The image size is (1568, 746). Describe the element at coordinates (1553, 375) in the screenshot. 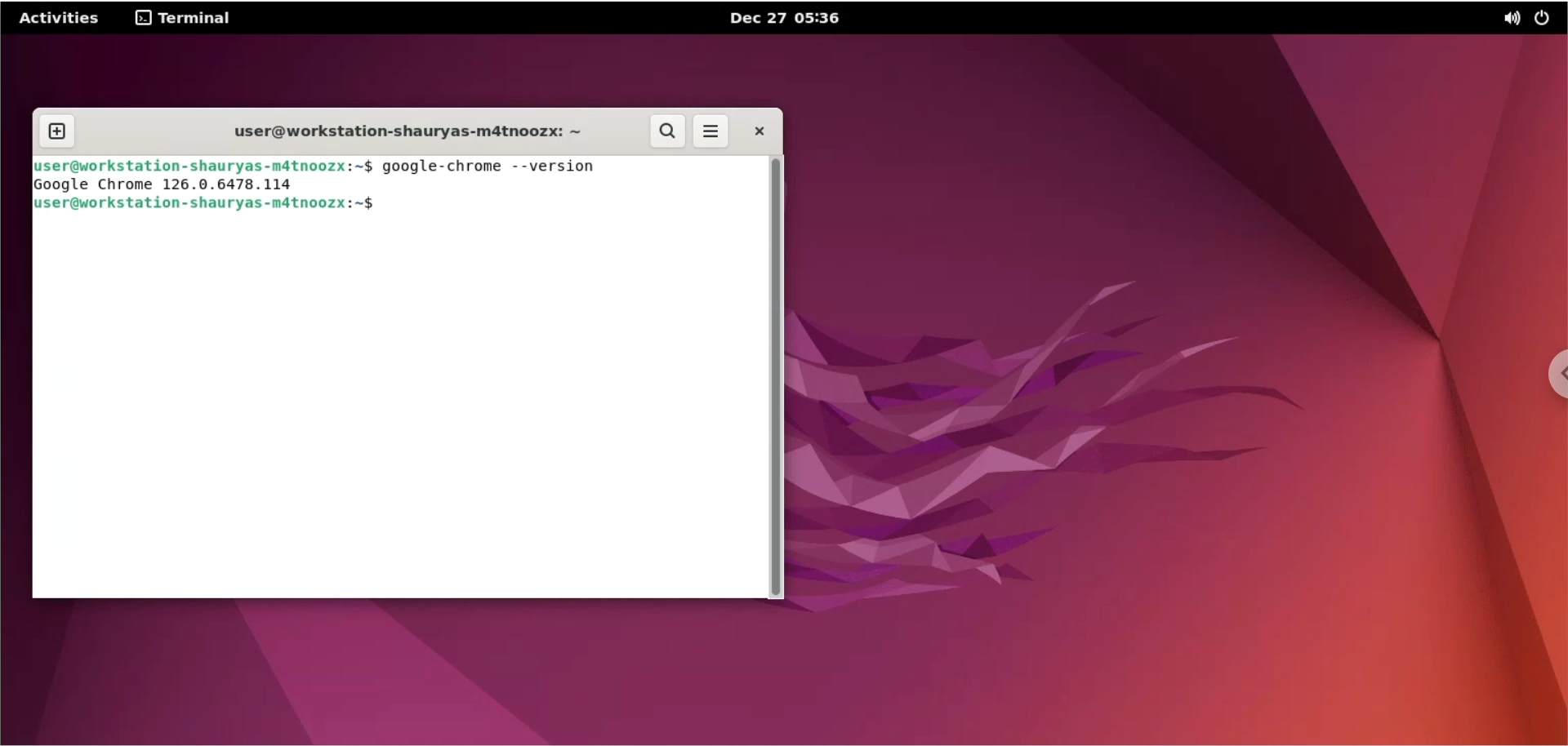

I see `chrome options` at that location.